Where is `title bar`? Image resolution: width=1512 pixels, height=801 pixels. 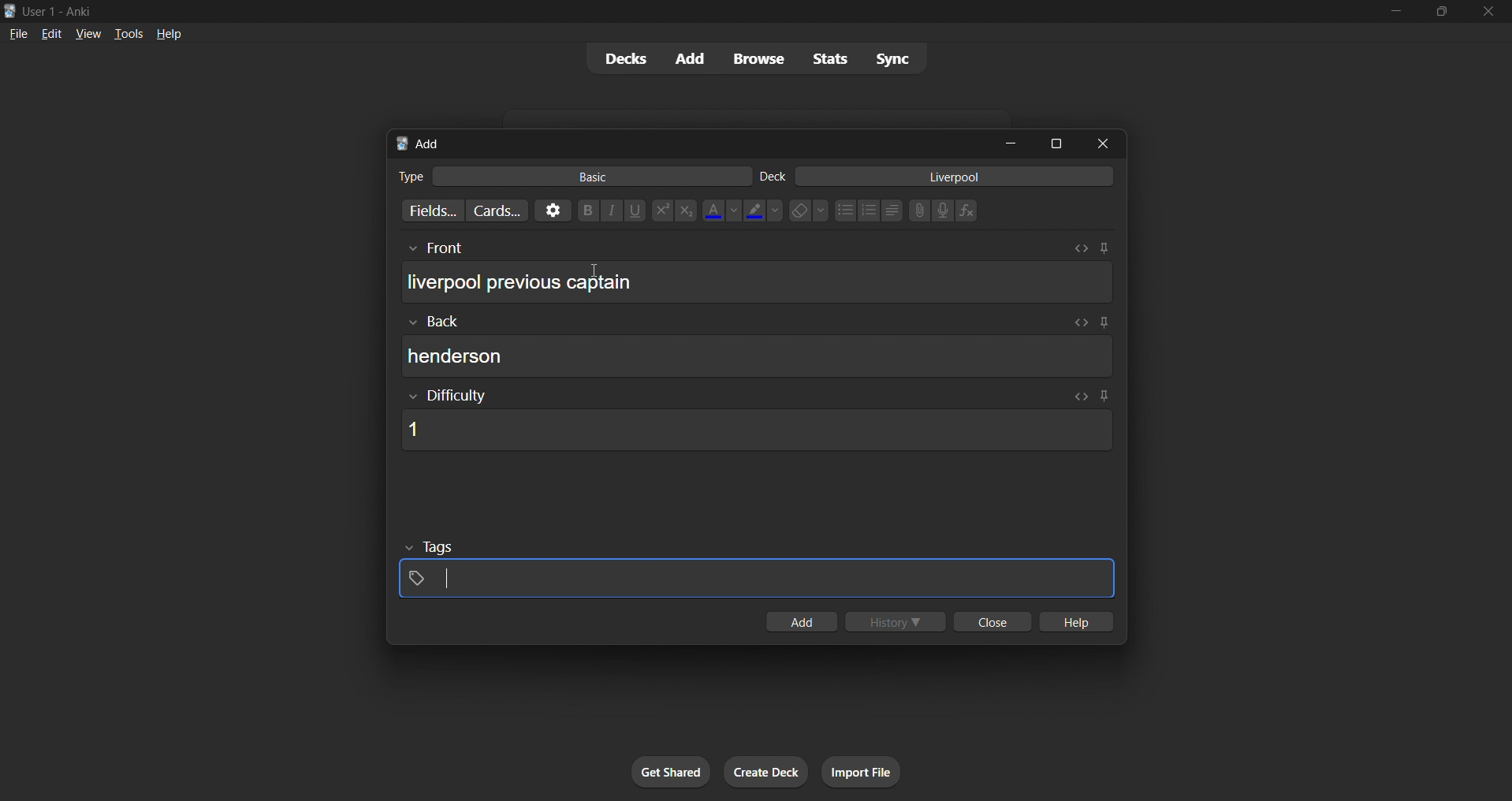
title bar is located at coordinates (681, 9).